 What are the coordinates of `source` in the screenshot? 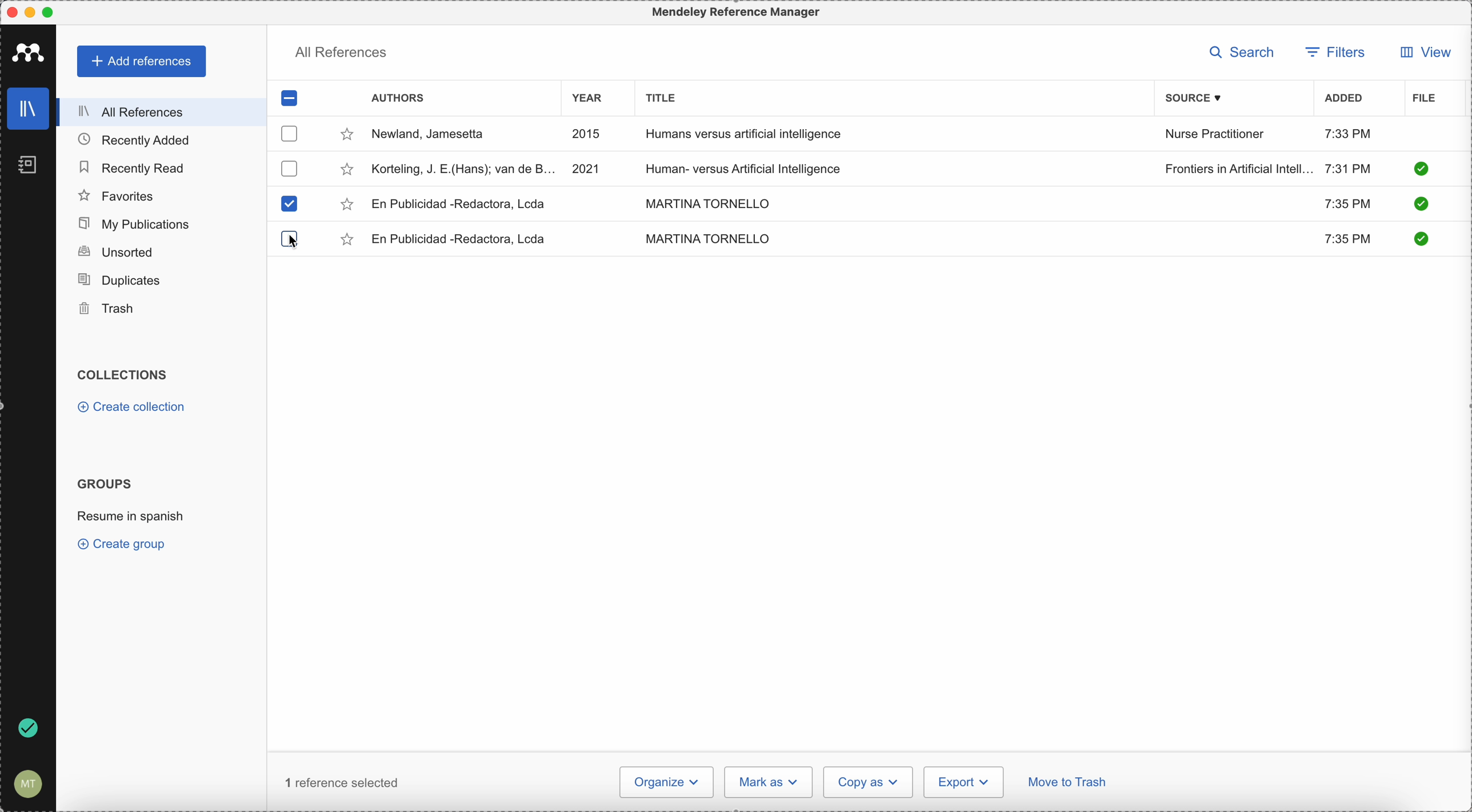 It's located at (1202, 98).